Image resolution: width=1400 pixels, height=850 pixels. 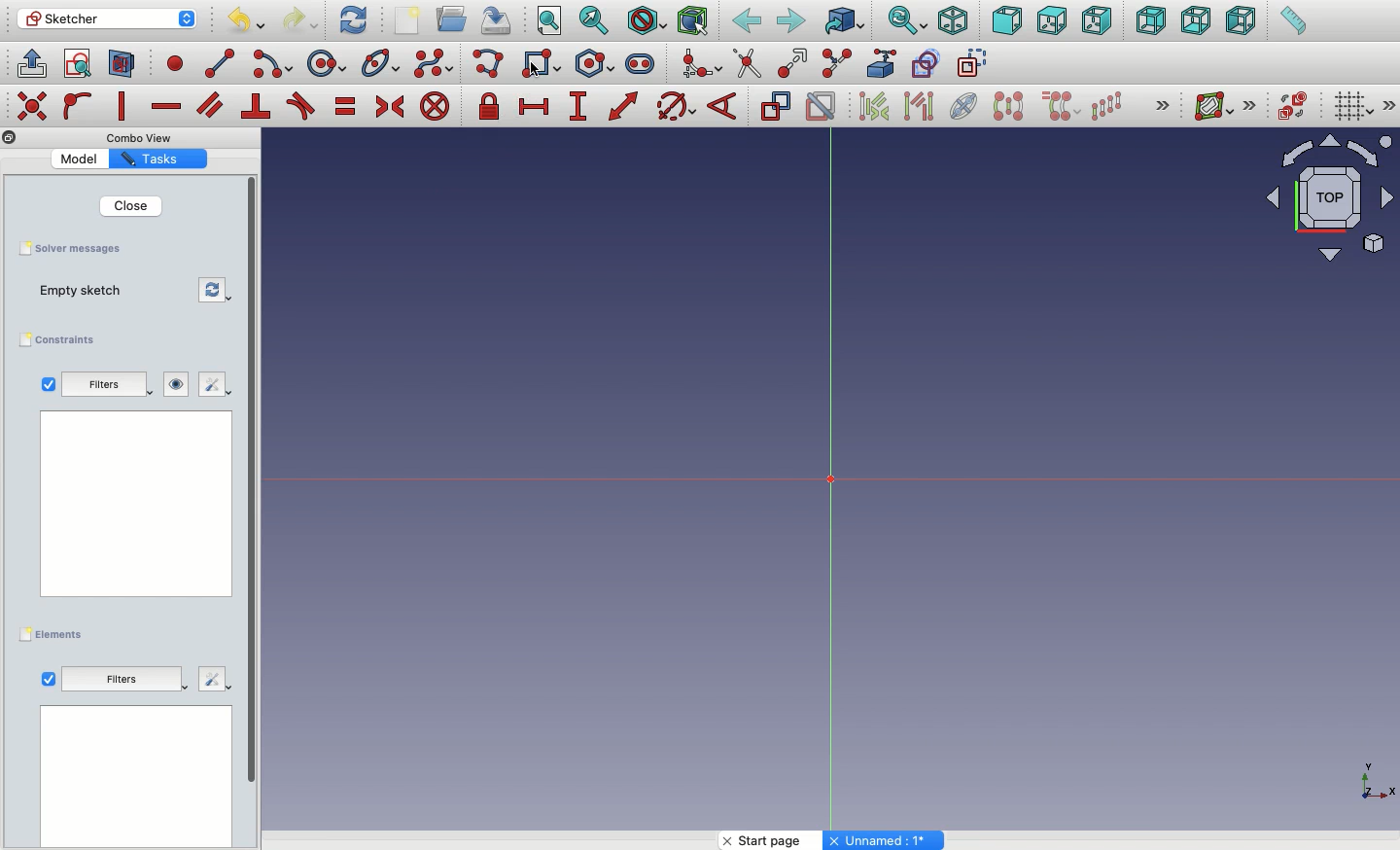 What do you see at coordinates (492, 108) in the screenshot?
I see `constrain lock` at bounding box center [492, 108].